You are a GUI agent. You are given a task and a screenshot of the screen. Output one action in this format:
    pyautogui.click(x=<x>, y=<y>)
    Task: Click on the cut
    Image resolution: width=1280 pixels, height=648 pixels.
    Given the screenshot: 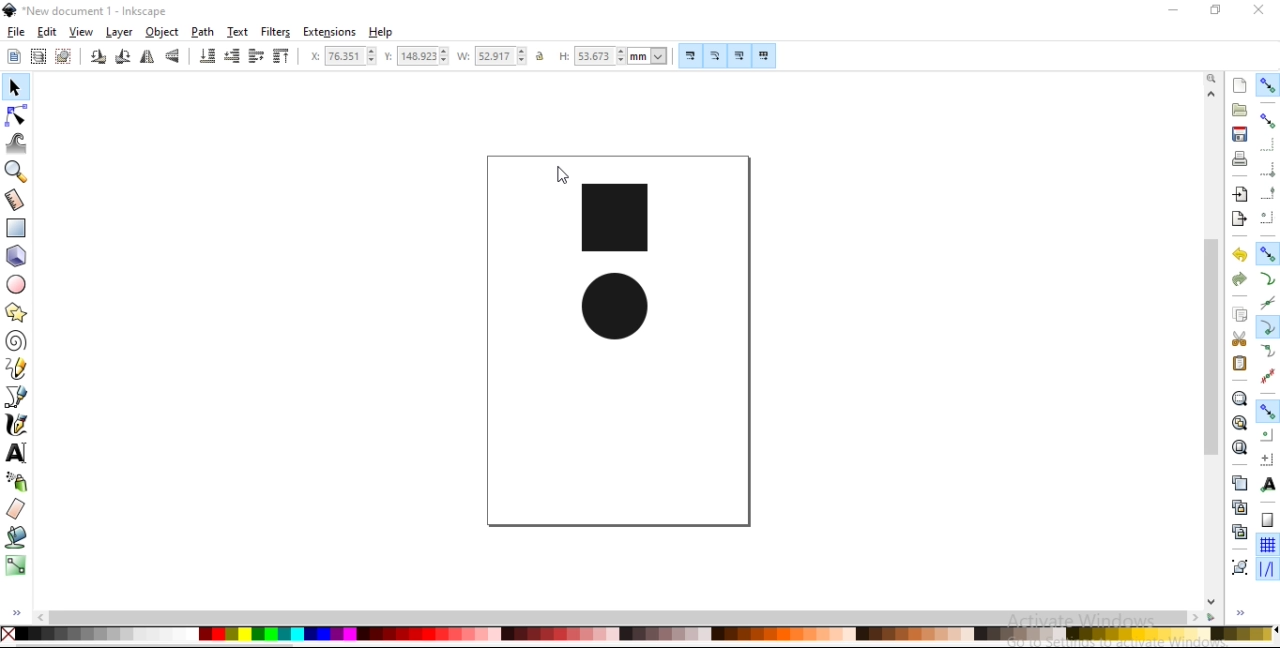 What is the action you would take?
    pyautogui.click(x=1239, y=339)
    